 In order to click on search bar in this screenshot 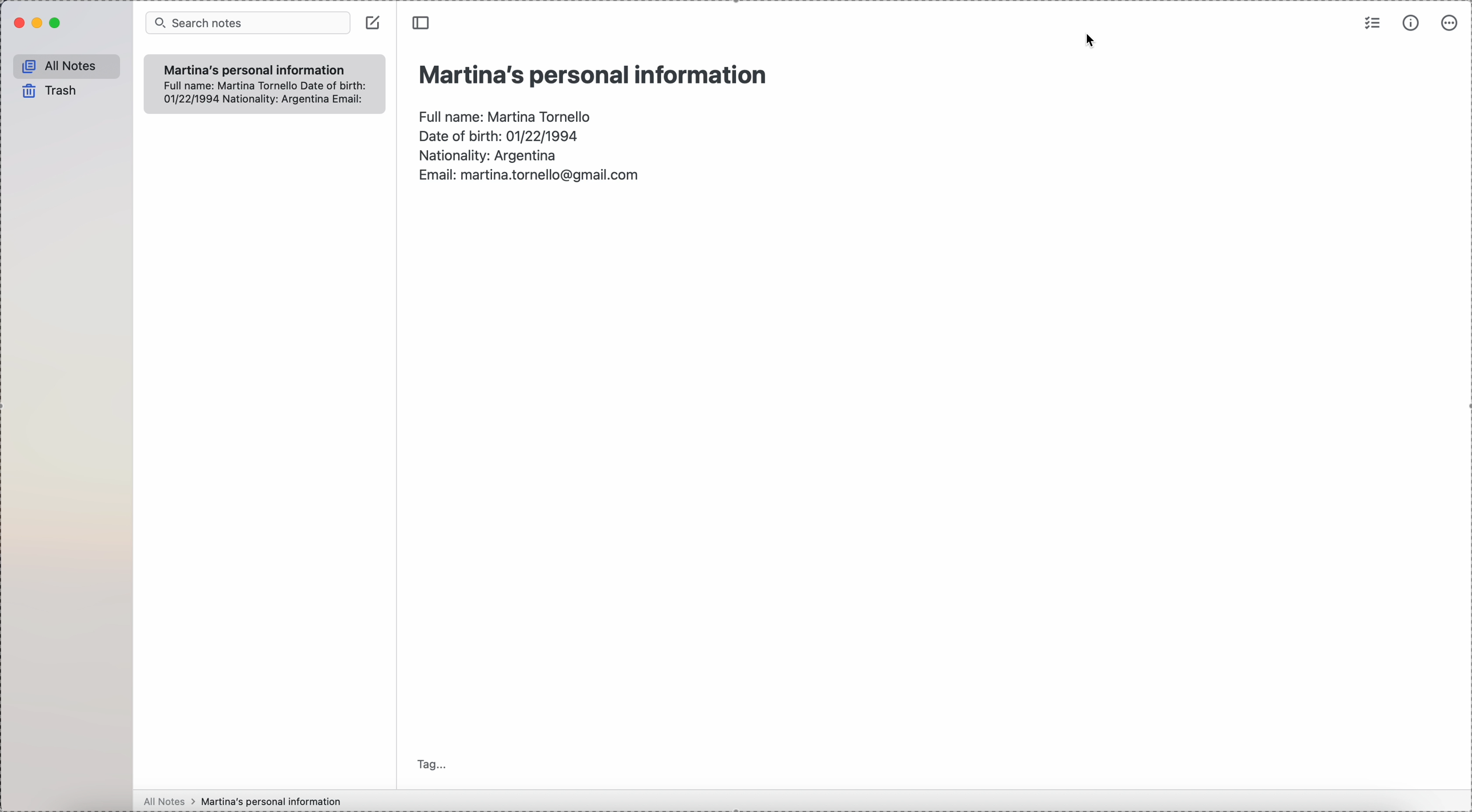, I will do `click(249, 23)`.